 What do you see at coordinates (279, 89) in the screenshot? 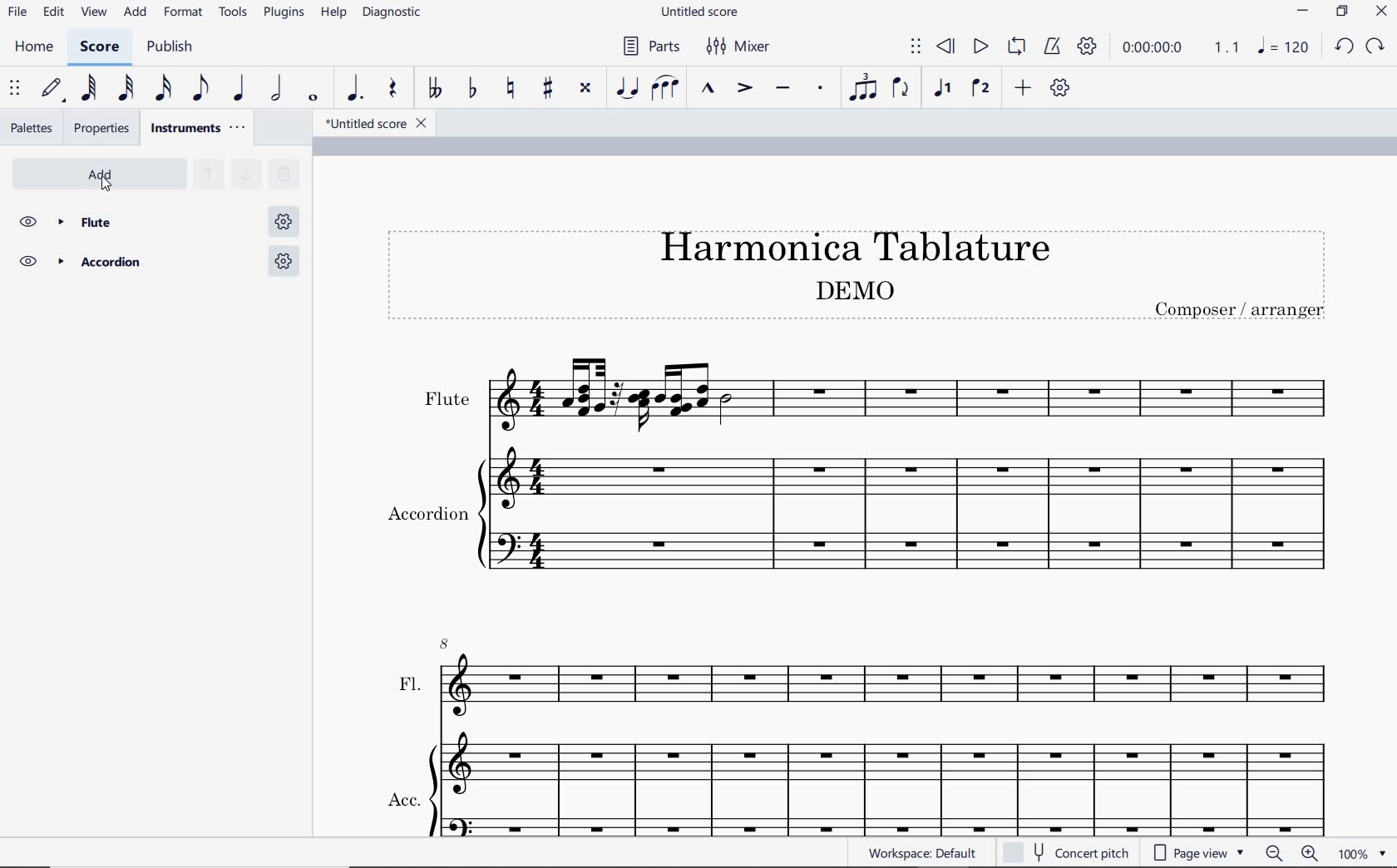
I see `half note` at bounding box center [279, 89].